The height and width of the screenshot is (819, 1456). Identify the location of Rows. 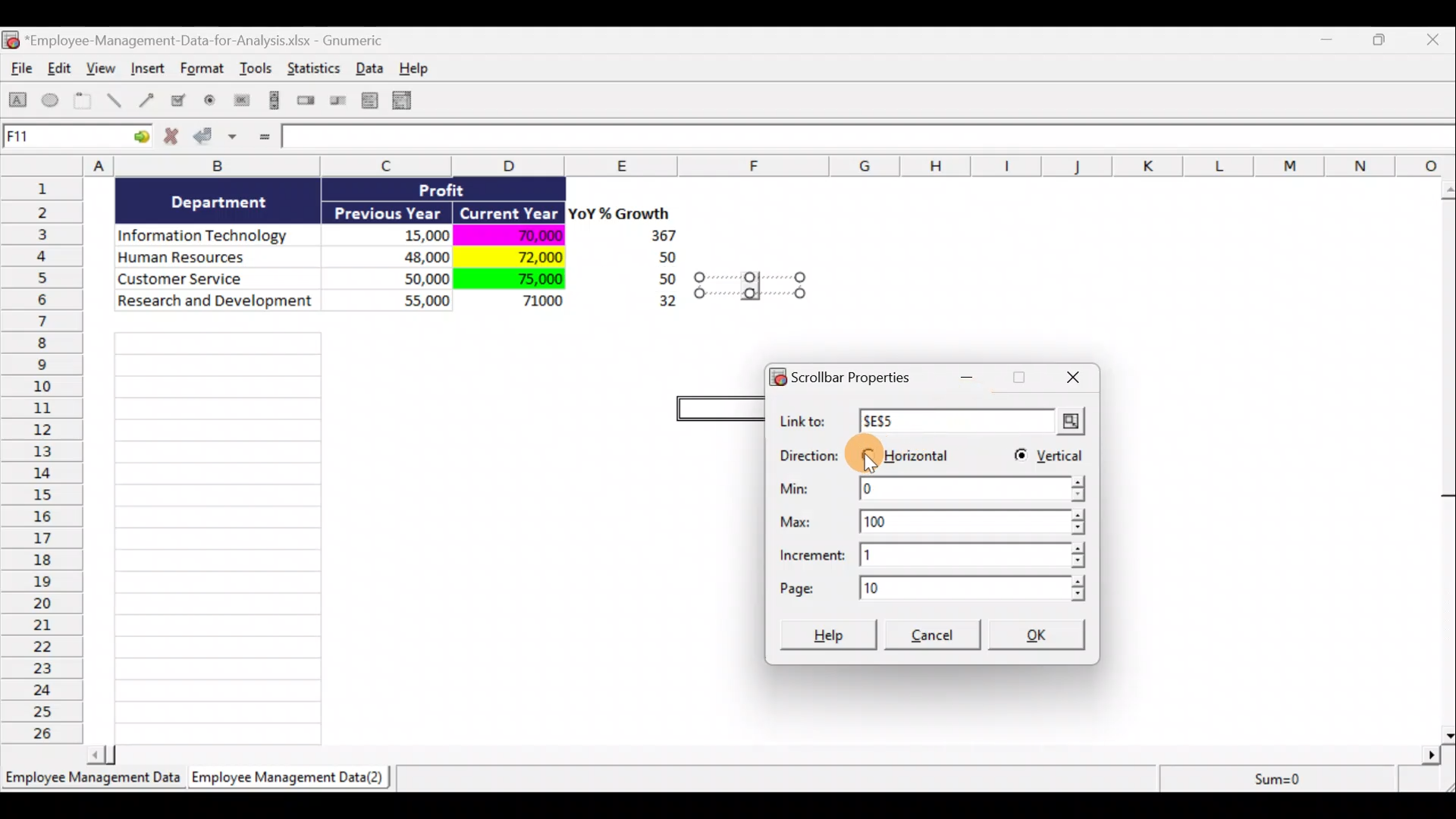
(46, 459).